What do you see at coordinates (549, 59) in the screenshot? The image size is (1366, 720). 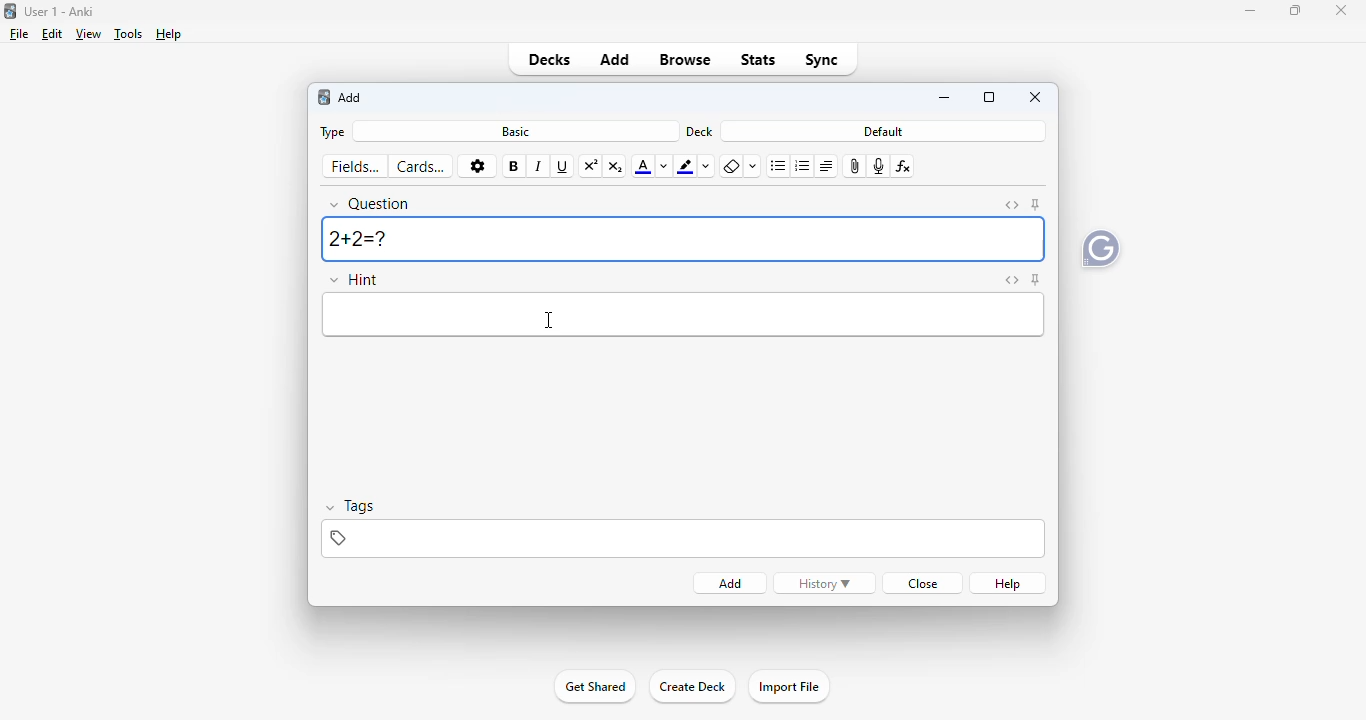 I see `decks` at bounding box center [549, 59].